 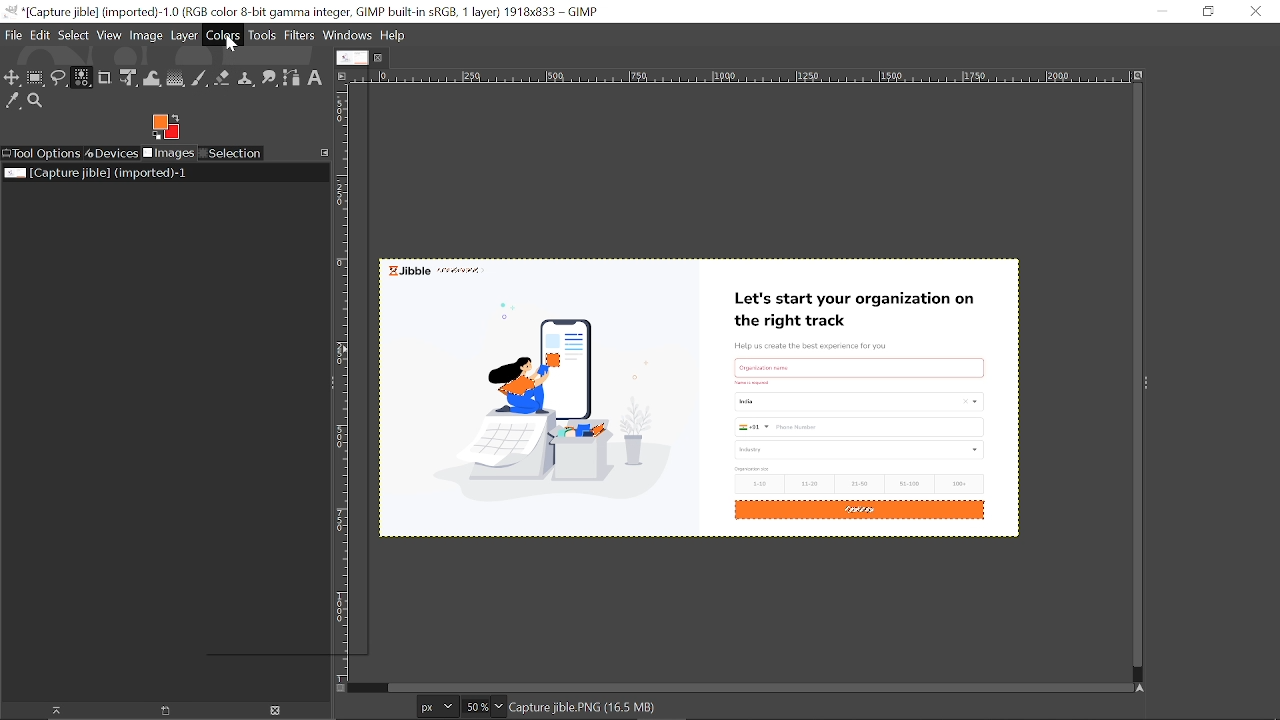 I want to click on , so click(x=393, y=36).